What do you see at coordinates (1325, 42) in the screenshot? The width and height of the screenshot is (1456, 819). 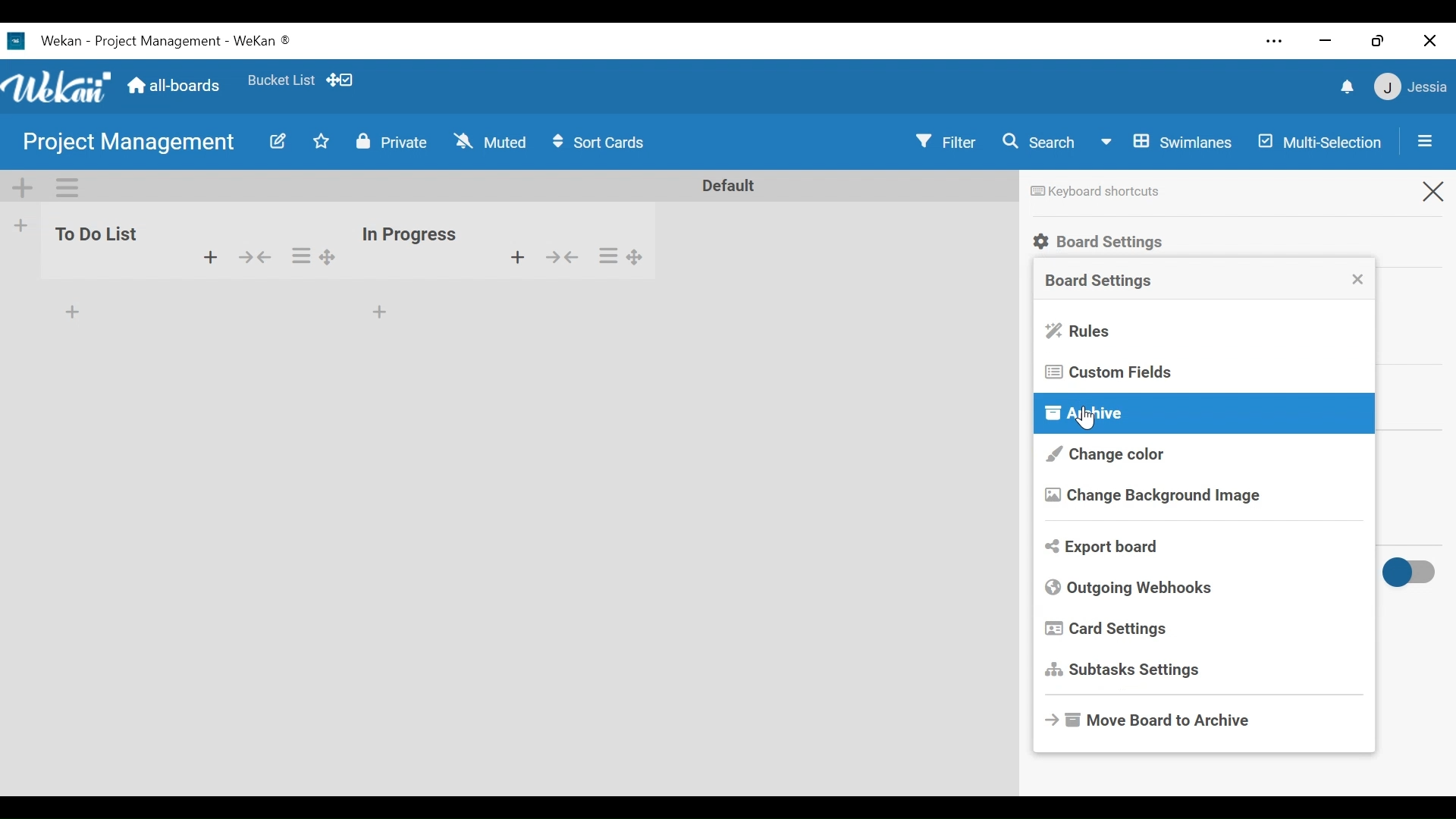 I see `minimize` at bounding box center [1325, 42].